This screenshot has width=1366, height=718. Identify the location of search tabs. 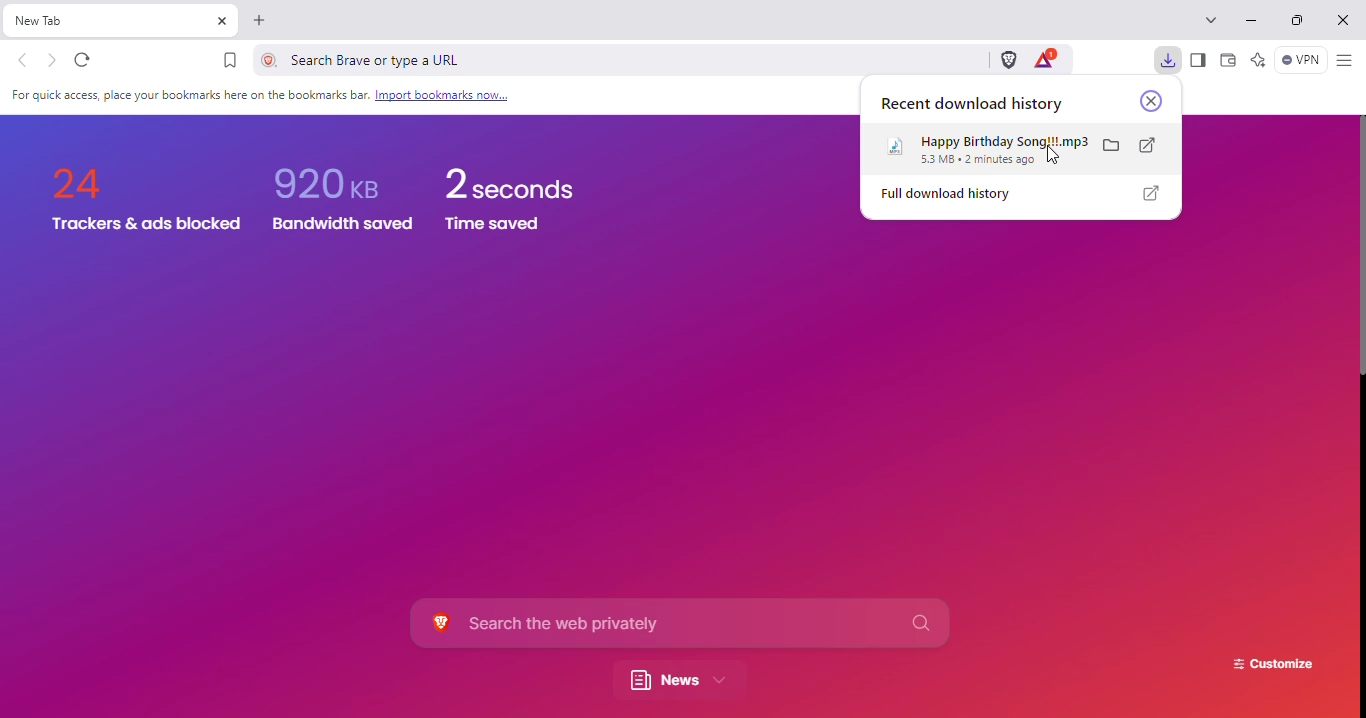
(1211, 19).